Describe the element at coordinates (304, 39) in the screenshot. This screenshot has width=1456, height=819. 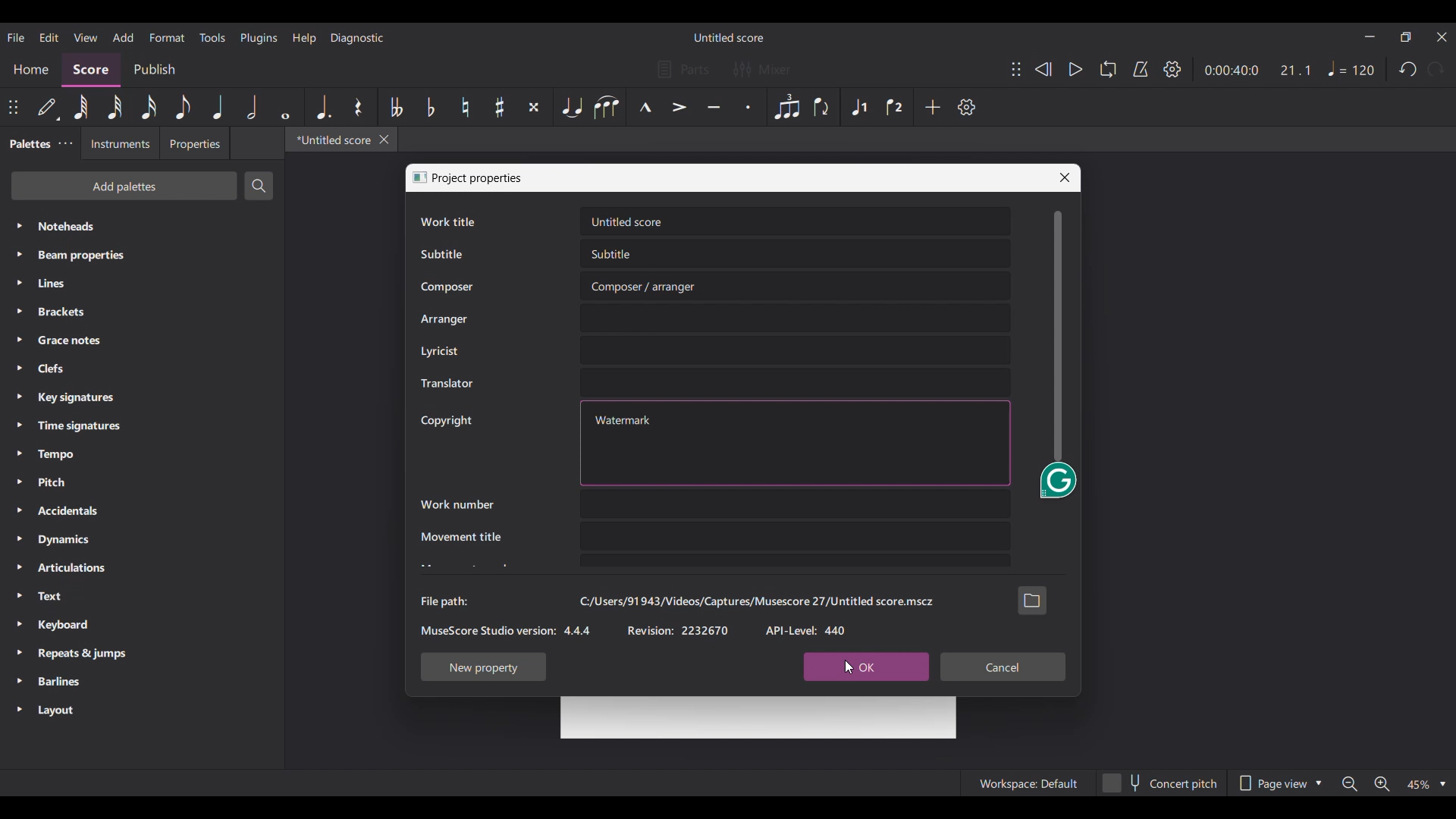
I see `Help menu` at that location.